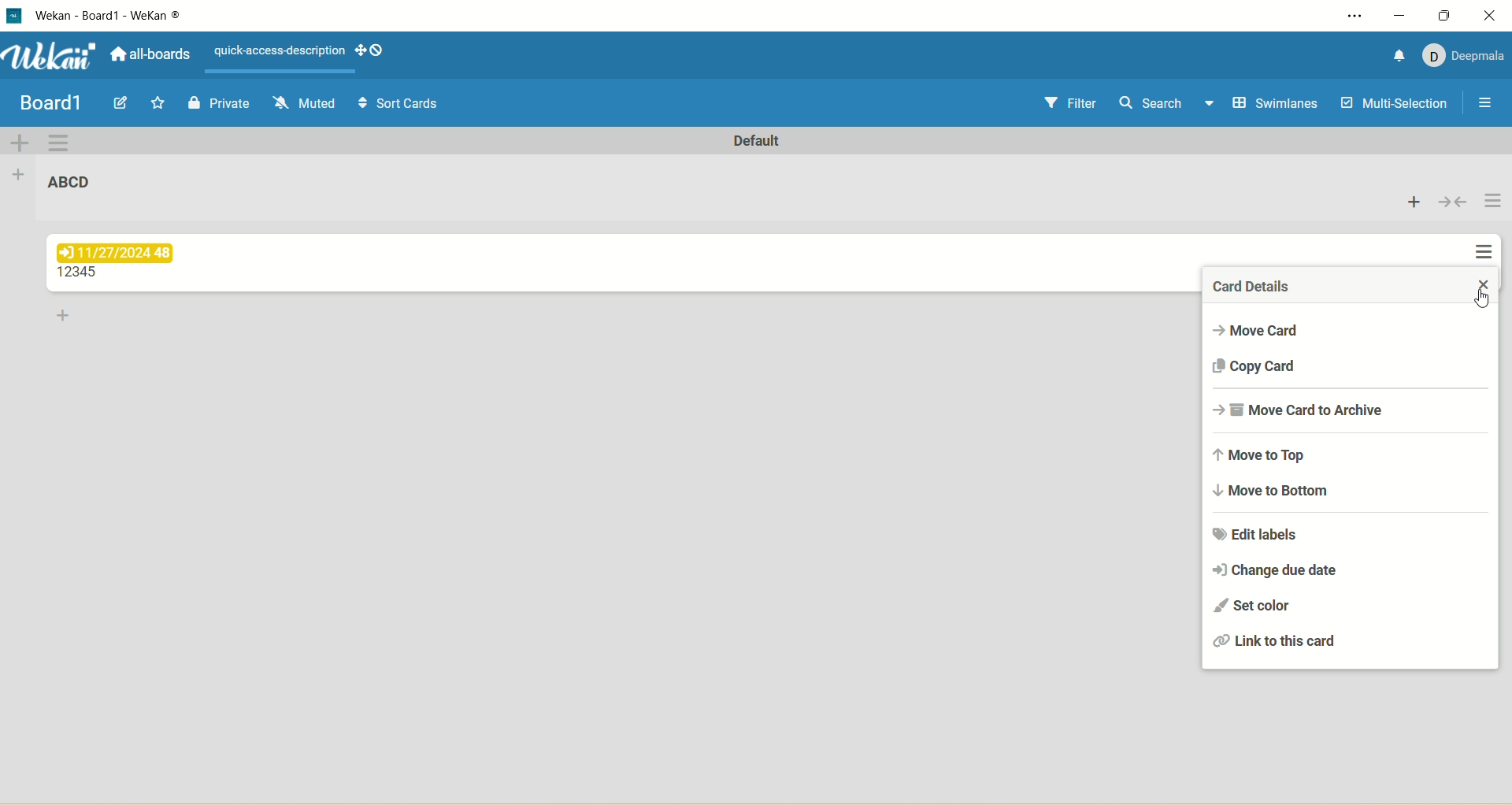 Image resolution: width=1512 pixels, height=805 pixels. Describe the element at coordinates (1308, 412) in the screenshot. I see `move card to archive` at that location.